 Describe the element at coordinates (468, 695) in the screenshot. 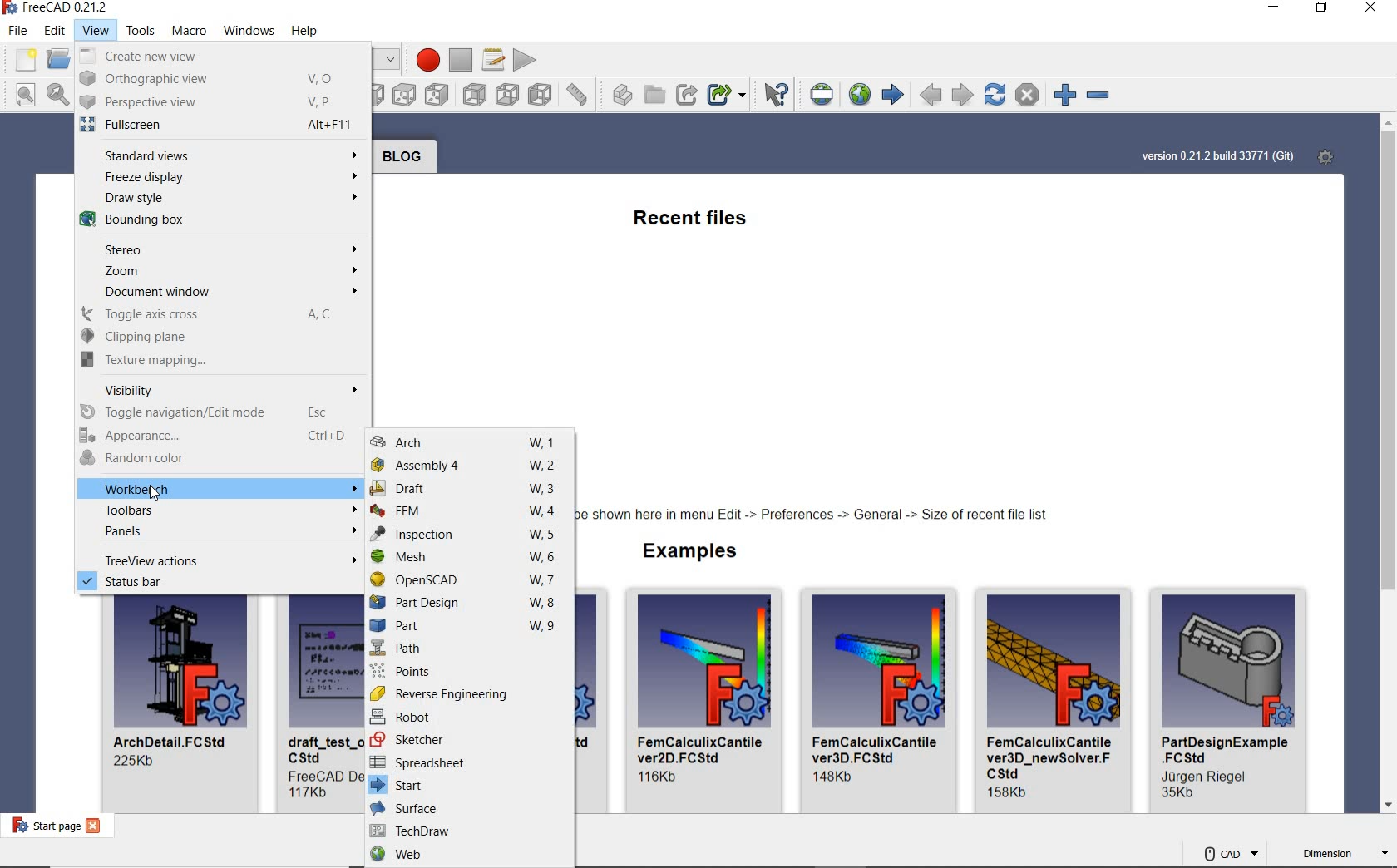

I see `reverse engineering` at that location.